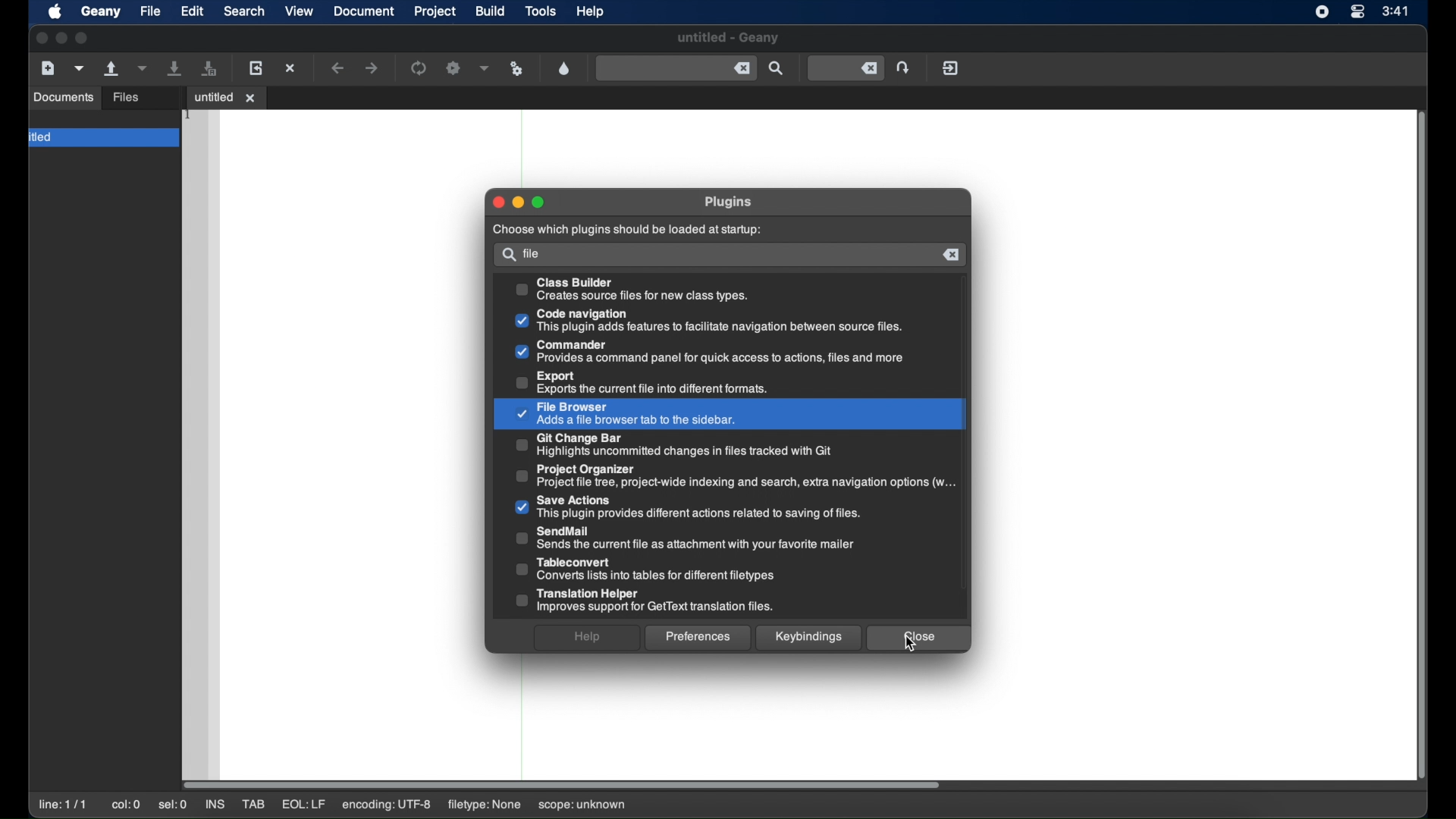 The image size is (1456, 819). I want to click on close, so click(40, 39).